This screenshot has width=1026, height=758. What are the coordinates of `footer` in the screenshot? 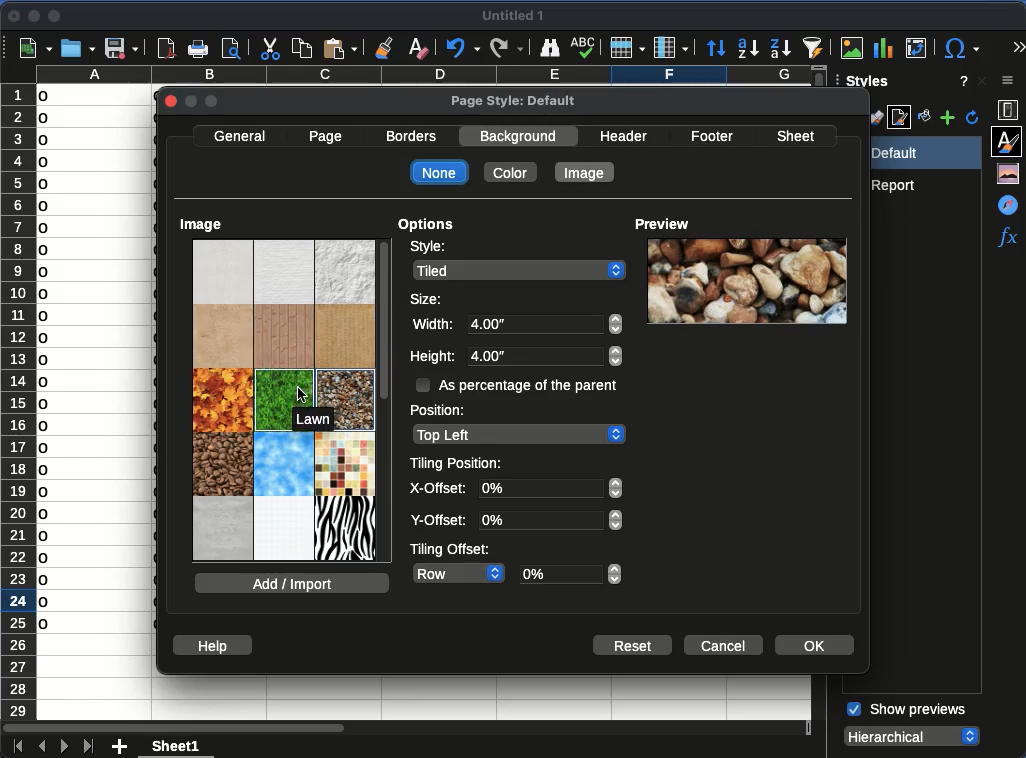 It's located at (711, 137).